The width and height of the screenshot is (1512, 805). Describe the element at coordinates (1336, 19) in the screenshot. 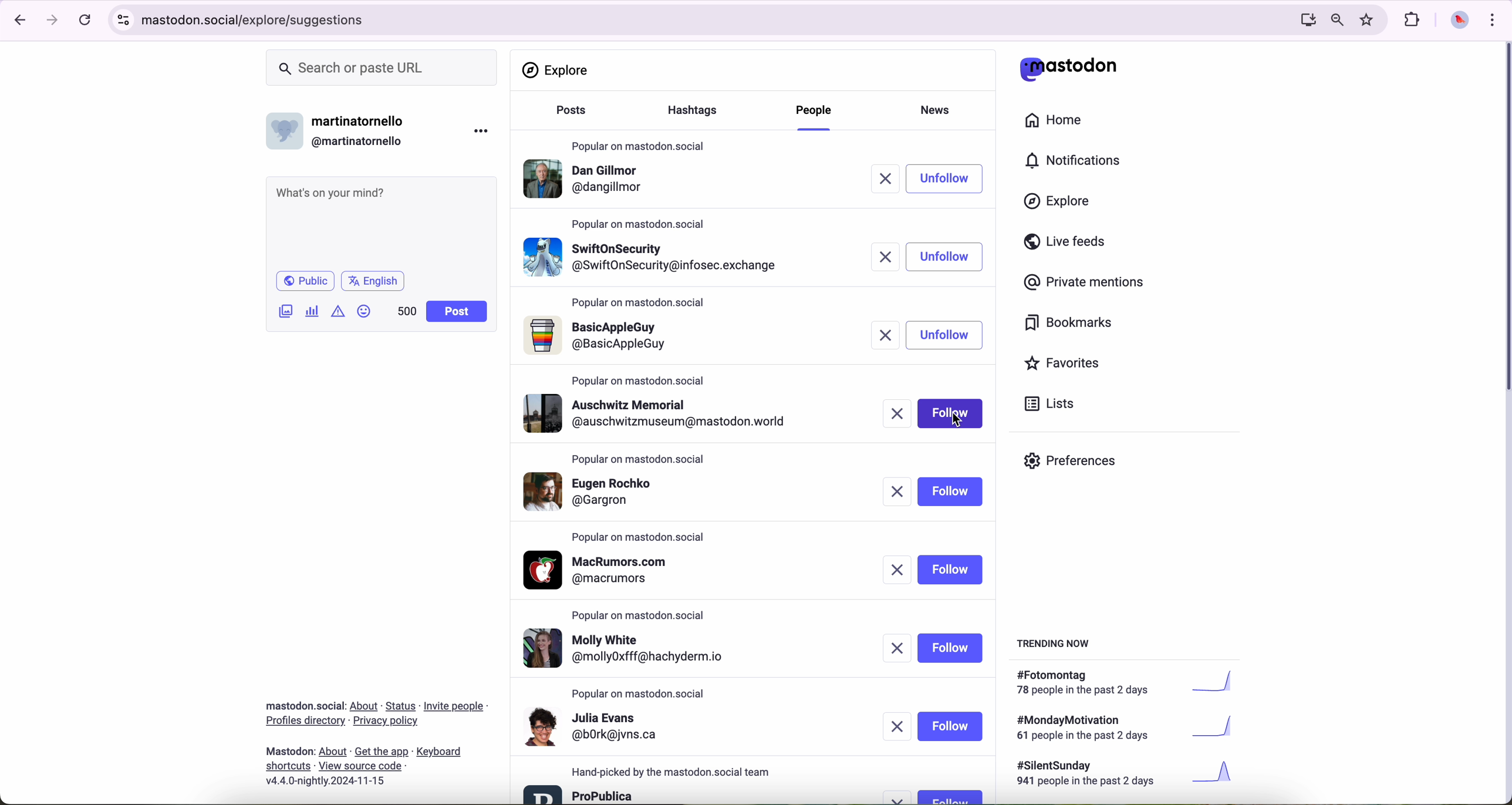

I see `zoom out` at that location.